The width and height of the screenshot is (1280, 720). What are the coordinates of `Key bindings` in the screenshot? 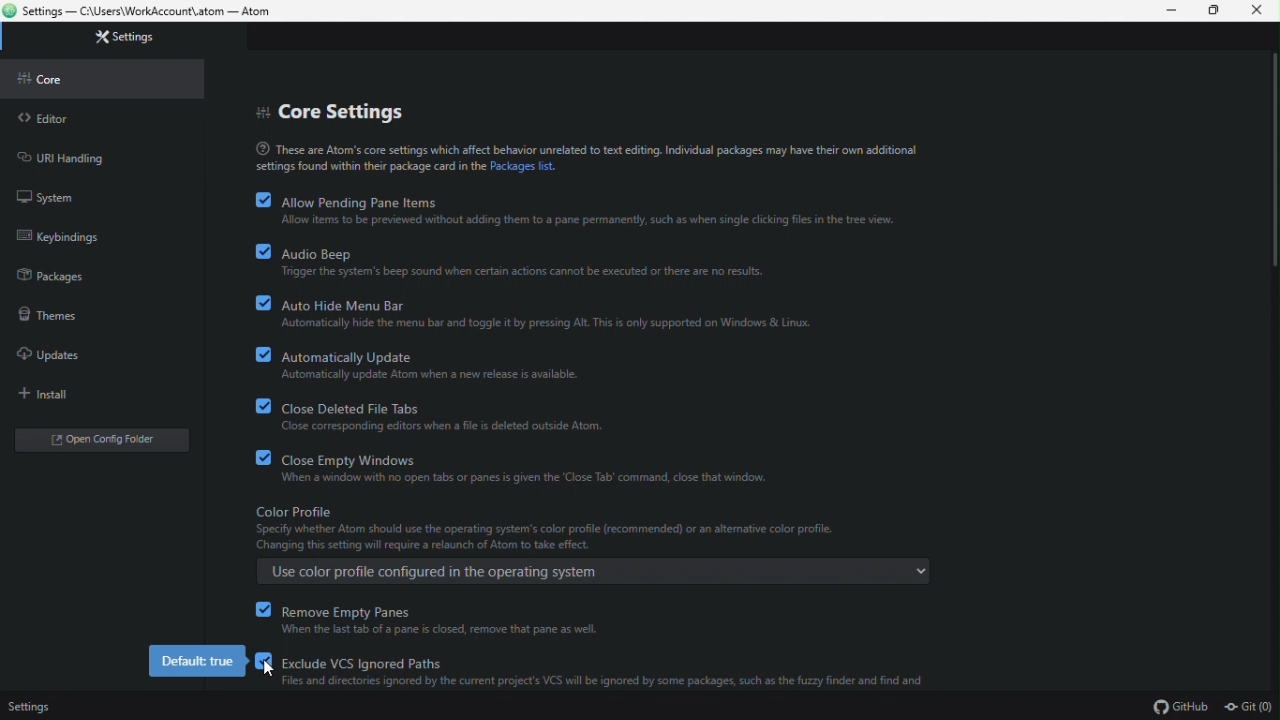 It's located at (100, 233).